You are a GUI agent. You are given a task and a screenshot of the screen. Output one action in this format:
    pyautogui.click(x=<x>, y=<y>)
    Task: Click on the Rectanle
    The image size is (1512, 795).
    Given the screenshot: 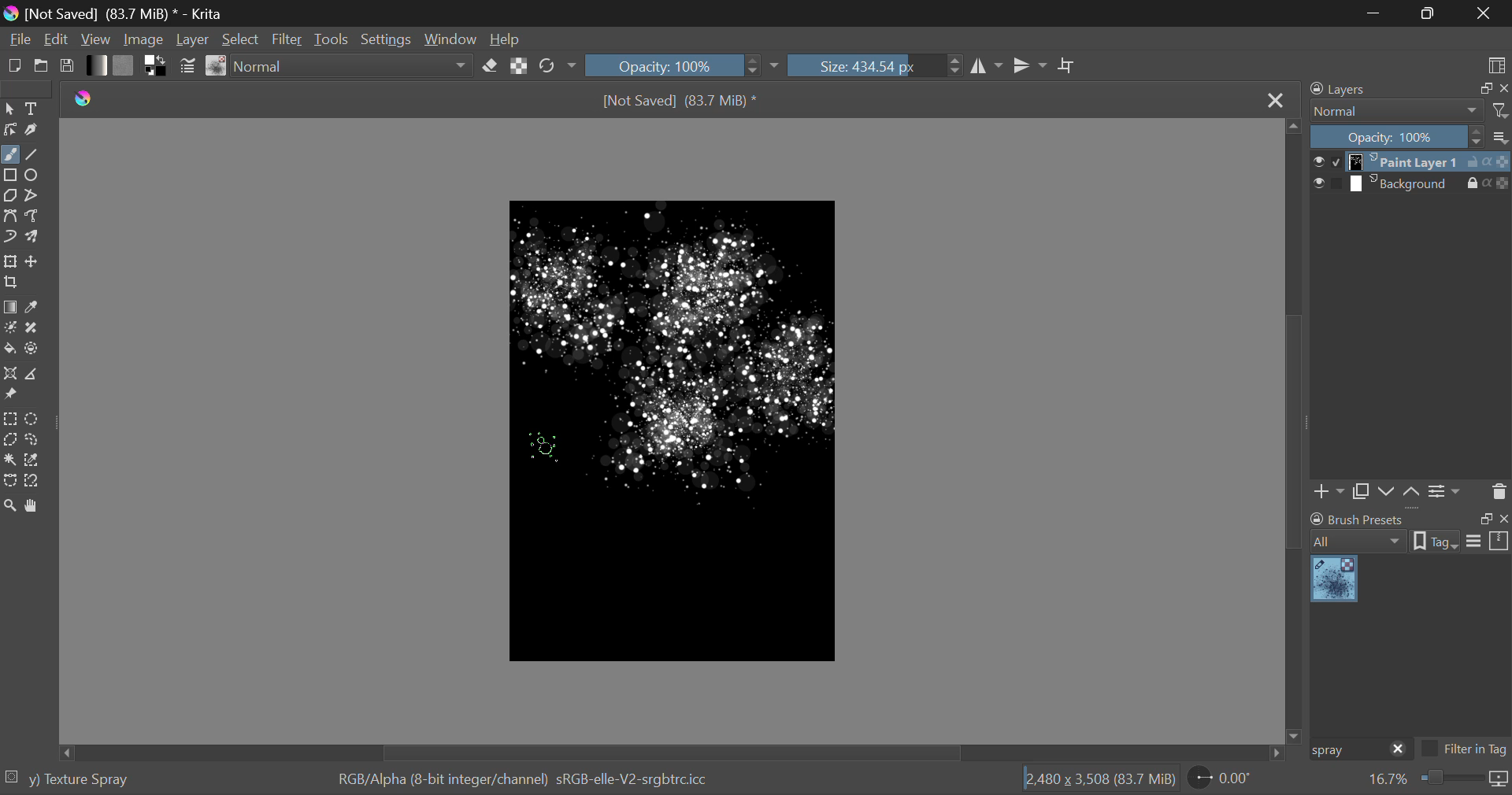 What is the action you would take?
    pyautogui.click(x=10, y=176)
    